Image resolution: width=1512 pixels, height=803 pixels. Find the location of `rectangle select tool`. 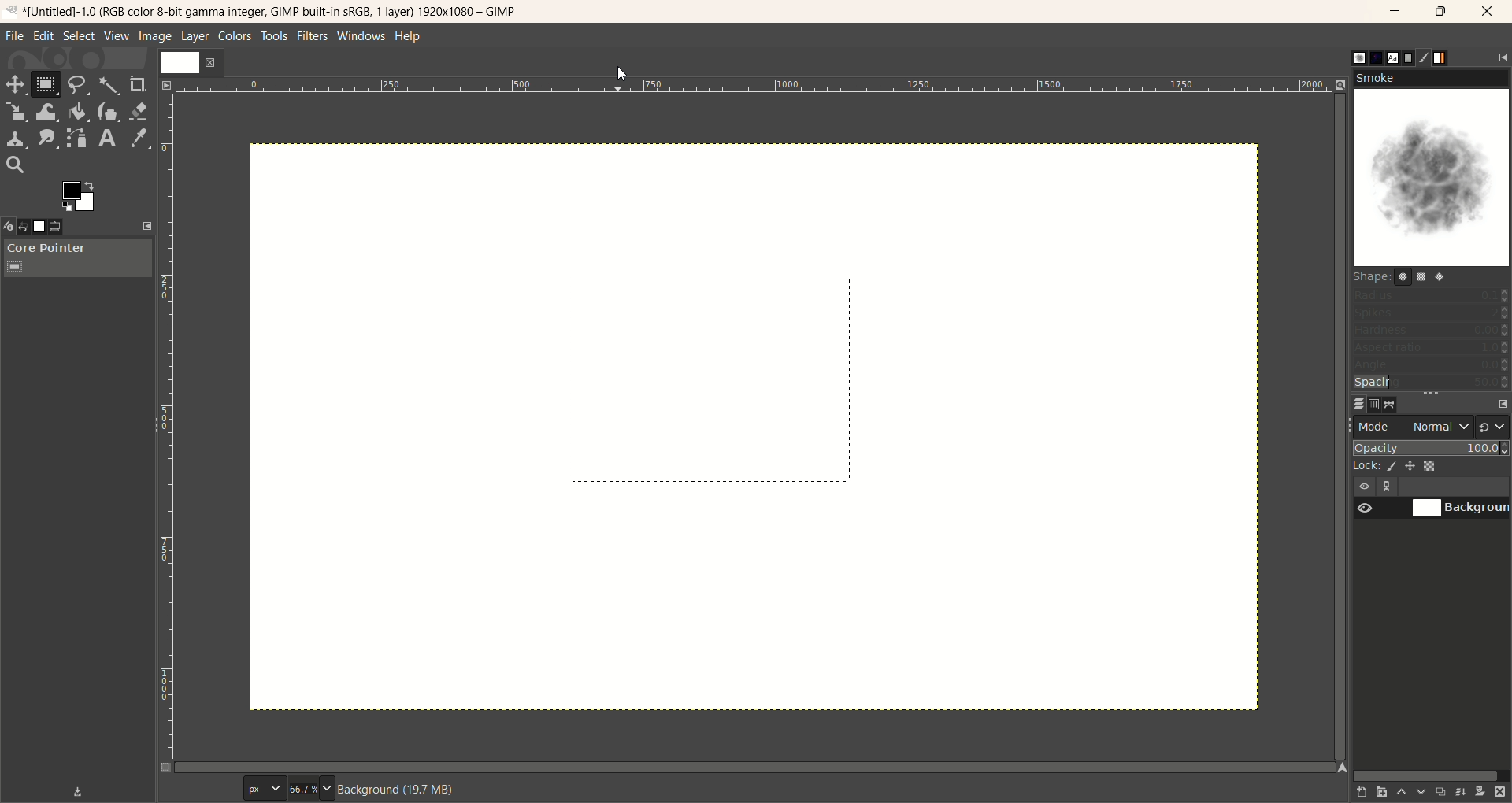

rectangle select tool is located at coordinates (46, 83).